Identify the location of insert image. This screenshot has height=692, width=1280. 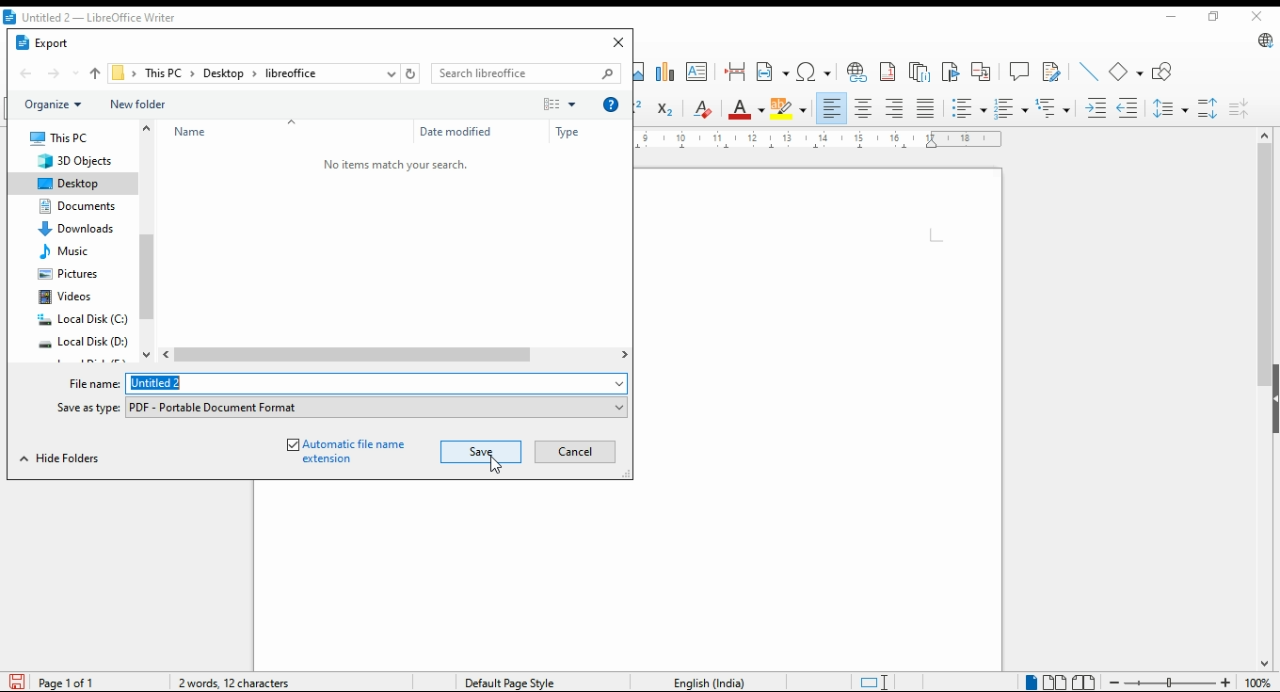
(642, 72).